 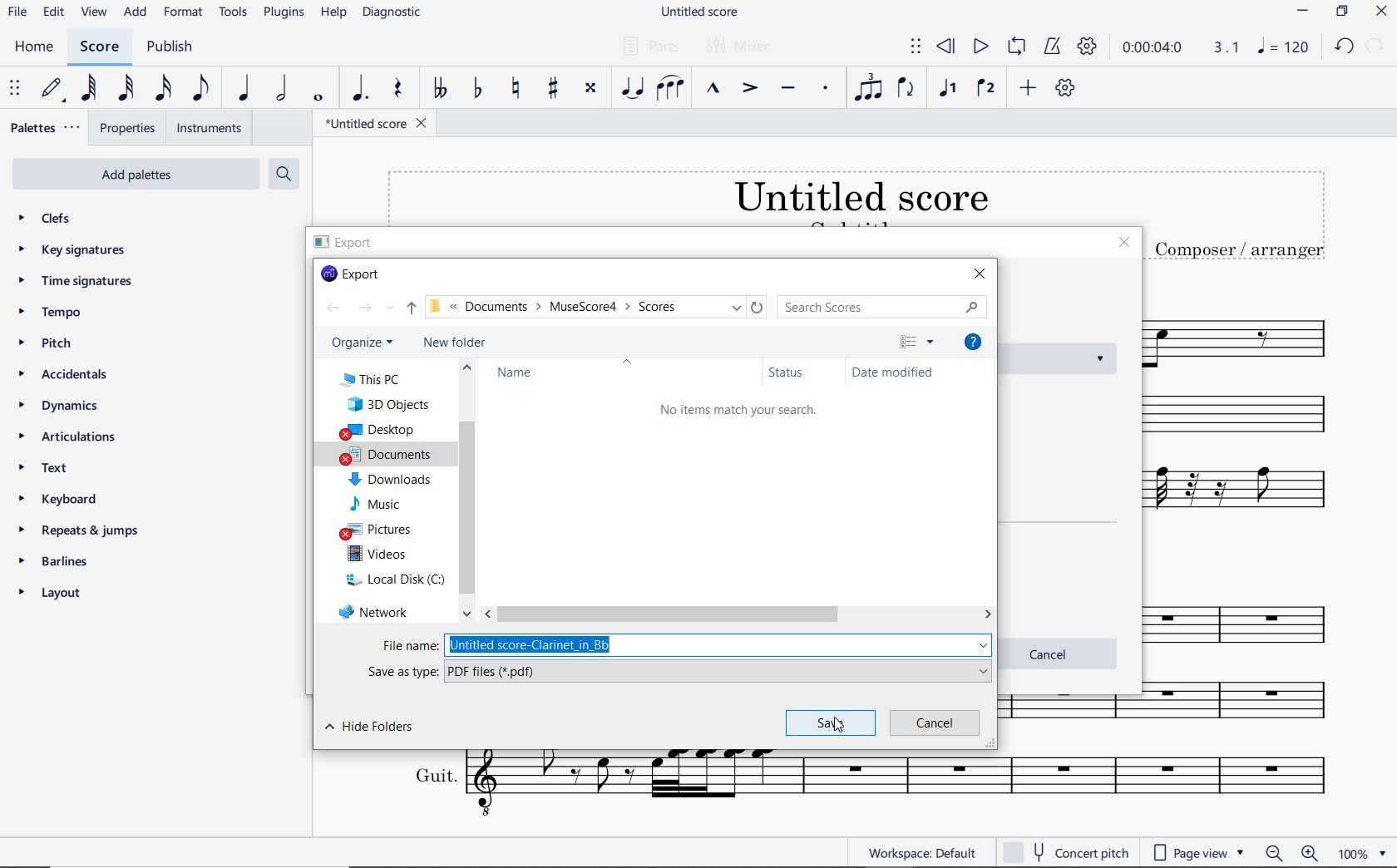 I want to click on INSTRUMENTS, so click(x=208, y=129).